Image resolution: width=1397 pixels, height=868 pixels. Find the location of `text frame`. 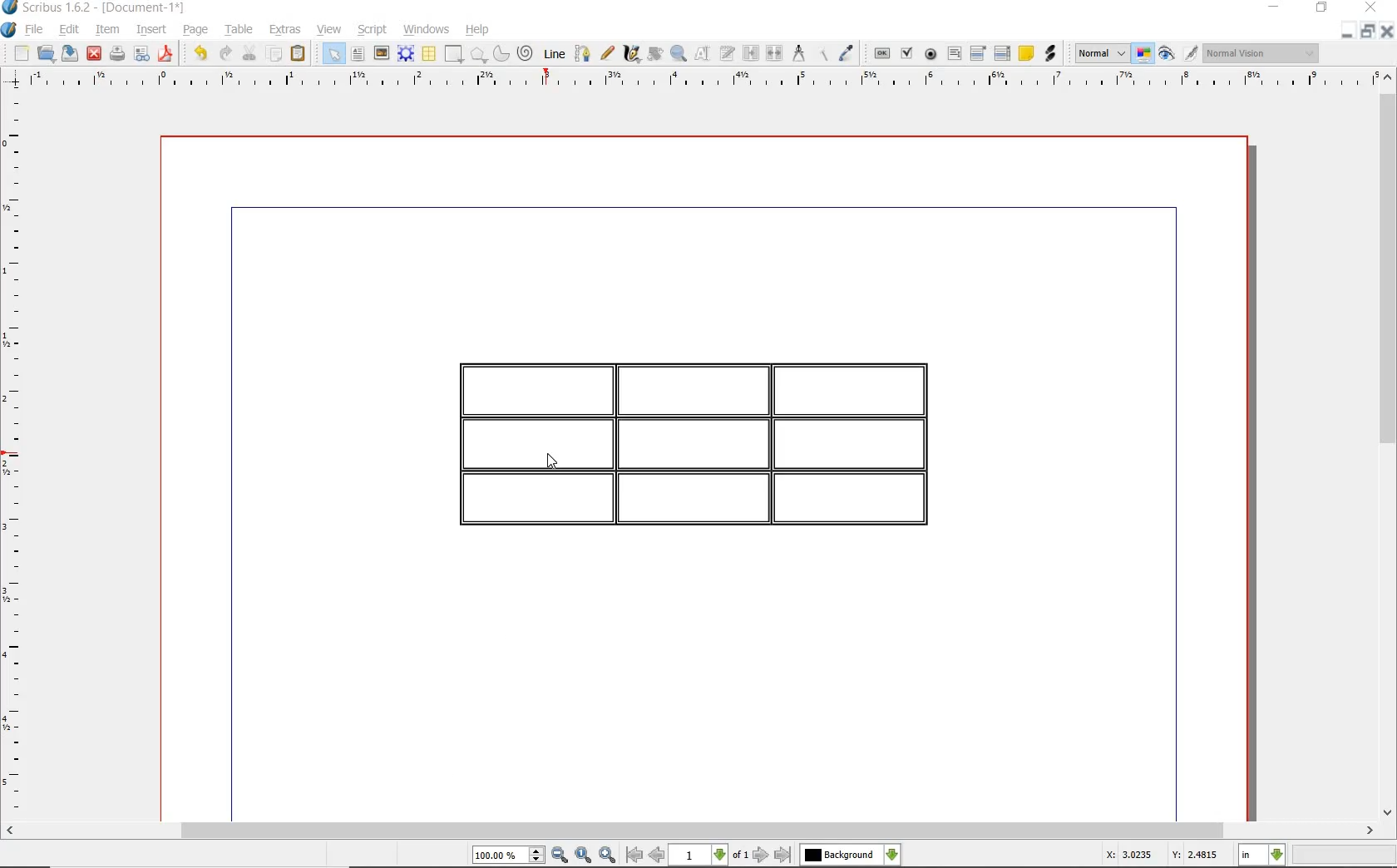

text frame is located at coordinates (358, 54).